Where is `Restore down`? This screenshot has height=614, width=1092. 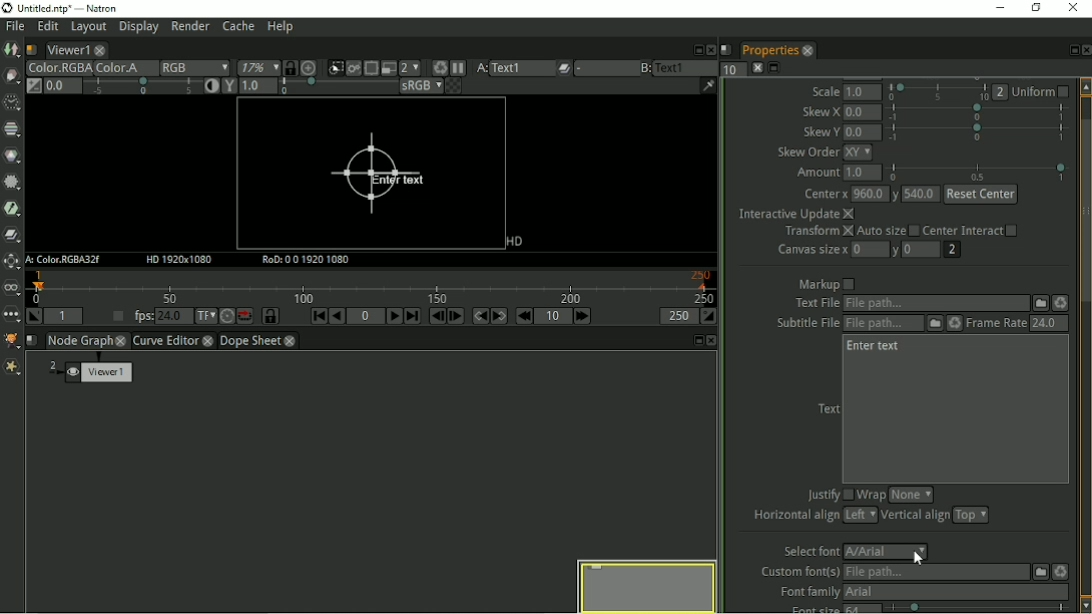
Restore down is located at coordinates (1037, 9).